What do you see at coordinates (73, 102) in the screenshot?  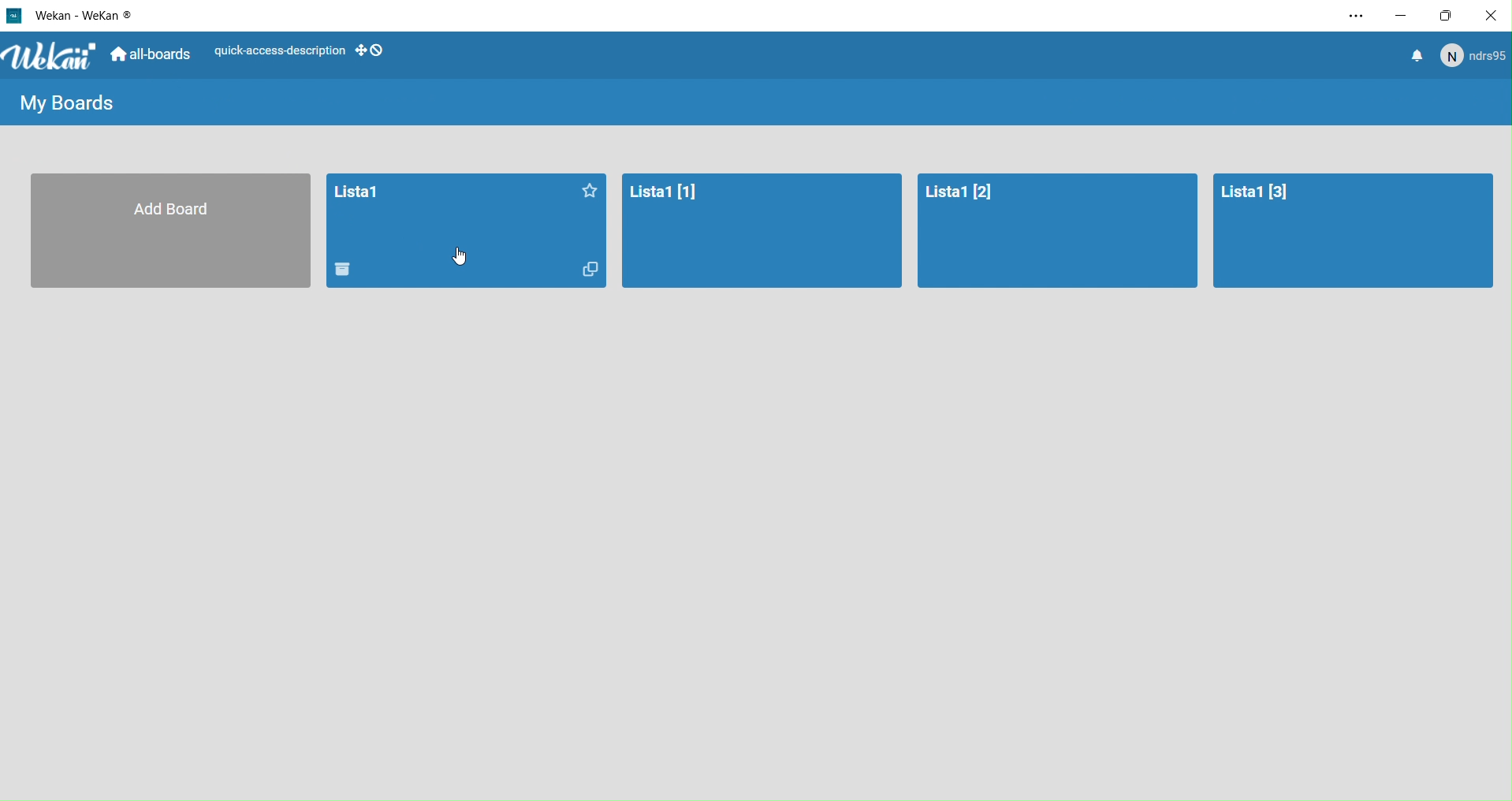 I see `Boards` at bounding box center [73, 102].